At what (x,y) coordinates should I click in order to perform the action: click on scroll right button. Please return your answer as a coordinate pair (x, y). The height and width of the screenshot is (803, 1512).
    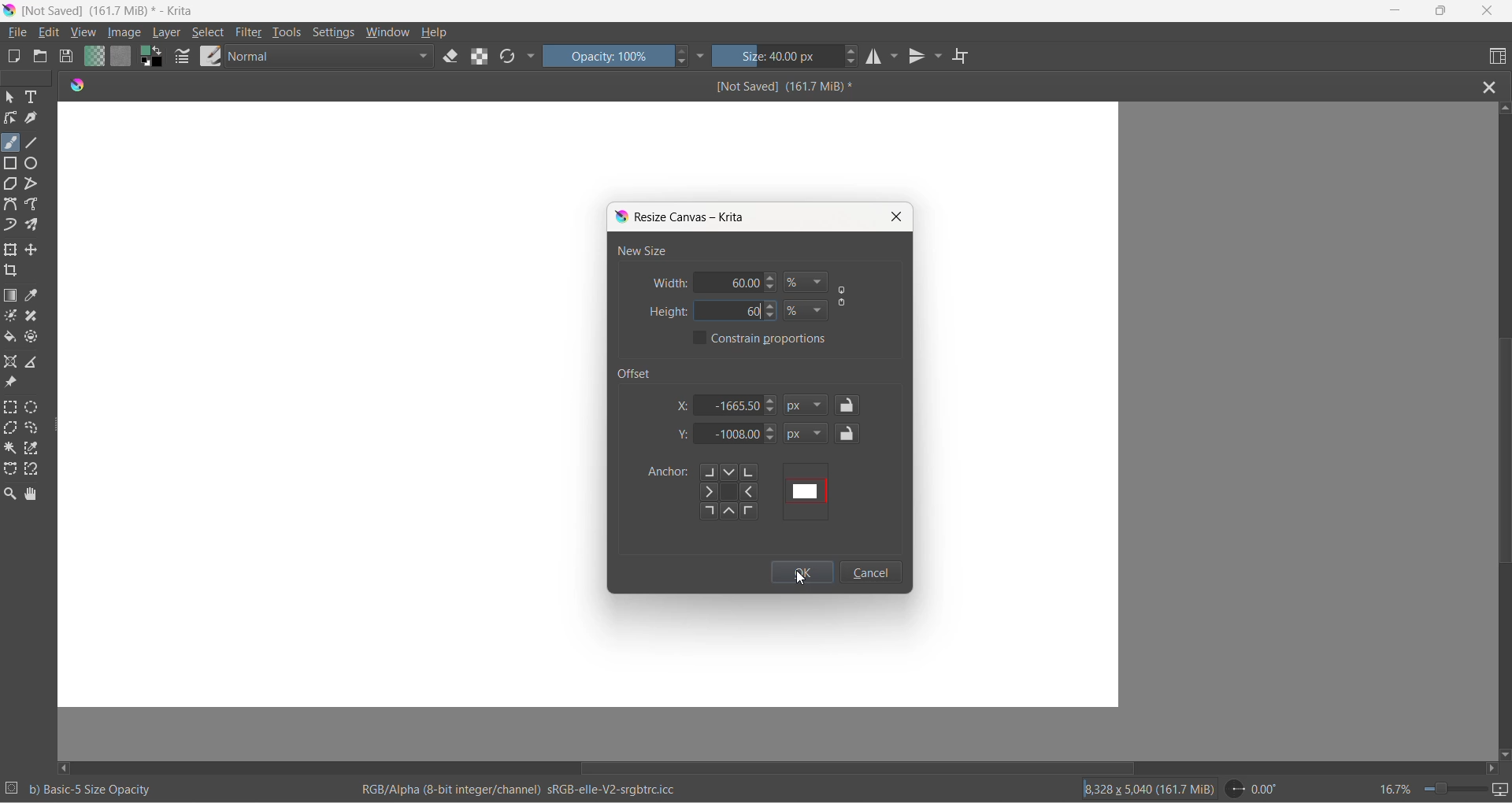
    Looking at the image, I should click on (1490, 768).